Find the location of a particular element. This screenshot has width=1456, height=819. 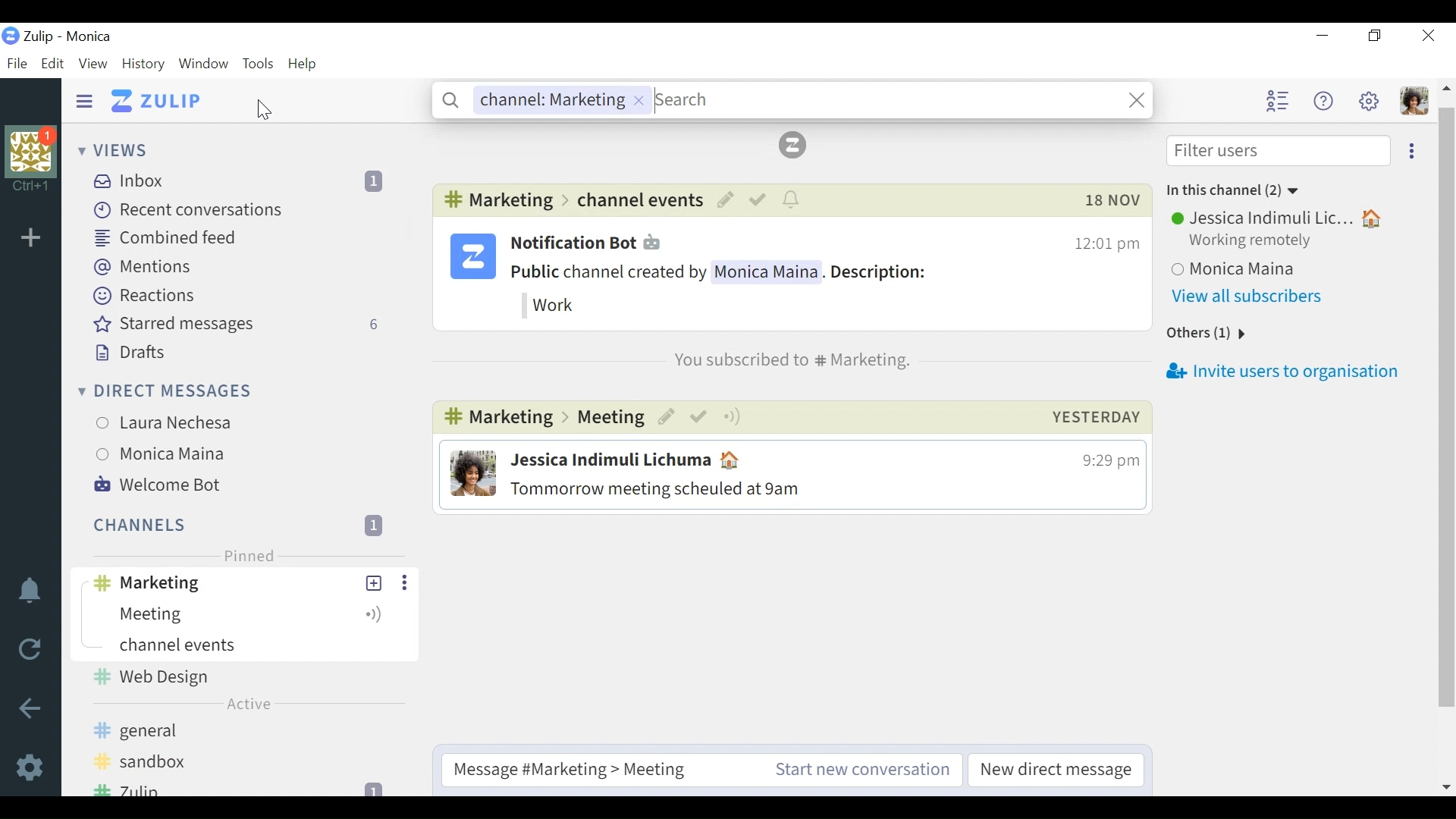

View is located at coordinates (93, 63).